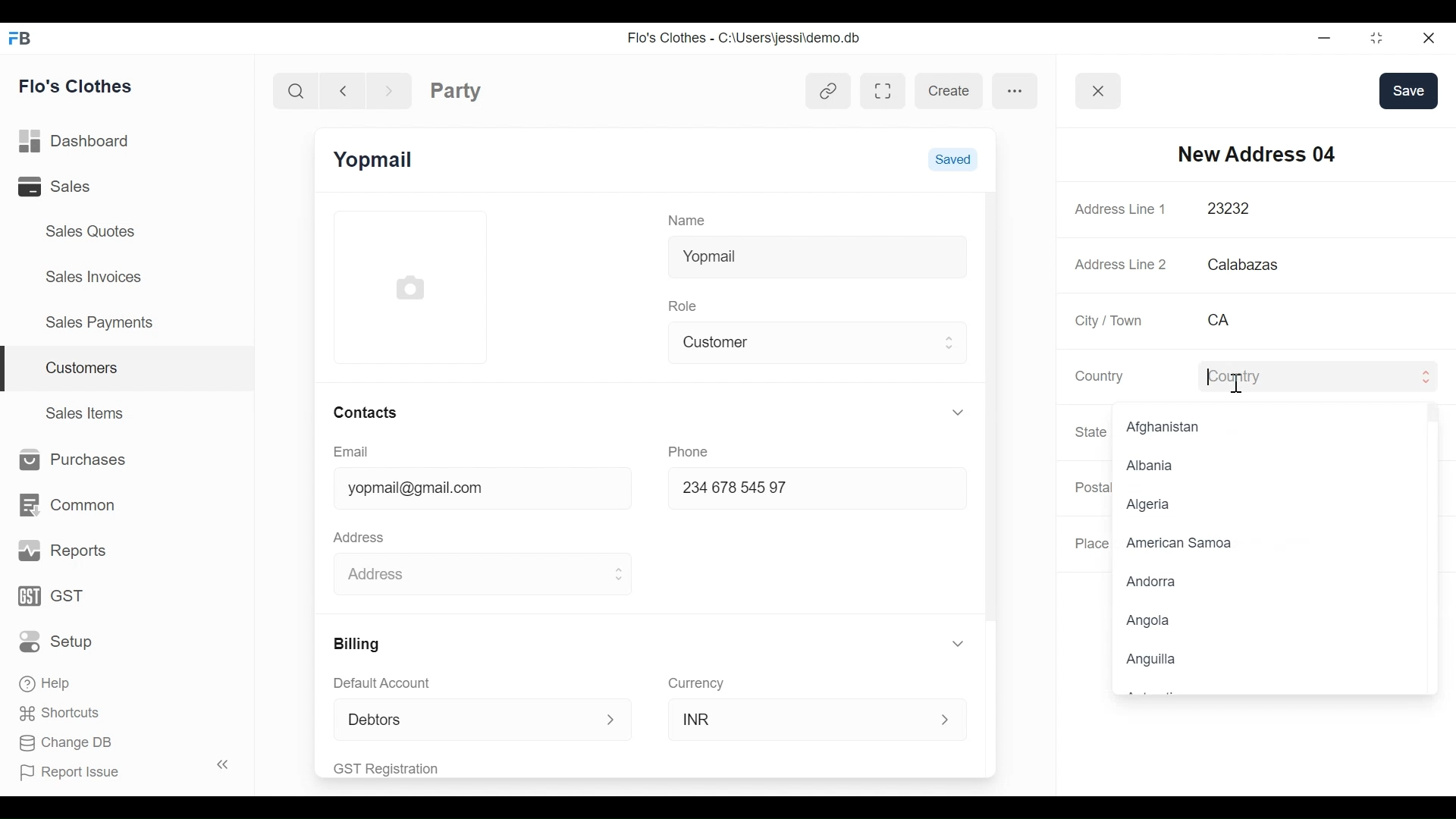 Image resolution: width=1456 pixels, height=819 pixels. What do you see at coordinates (686, 304) in the screenshot?
I see `Role` at bounding box center [686, 304].